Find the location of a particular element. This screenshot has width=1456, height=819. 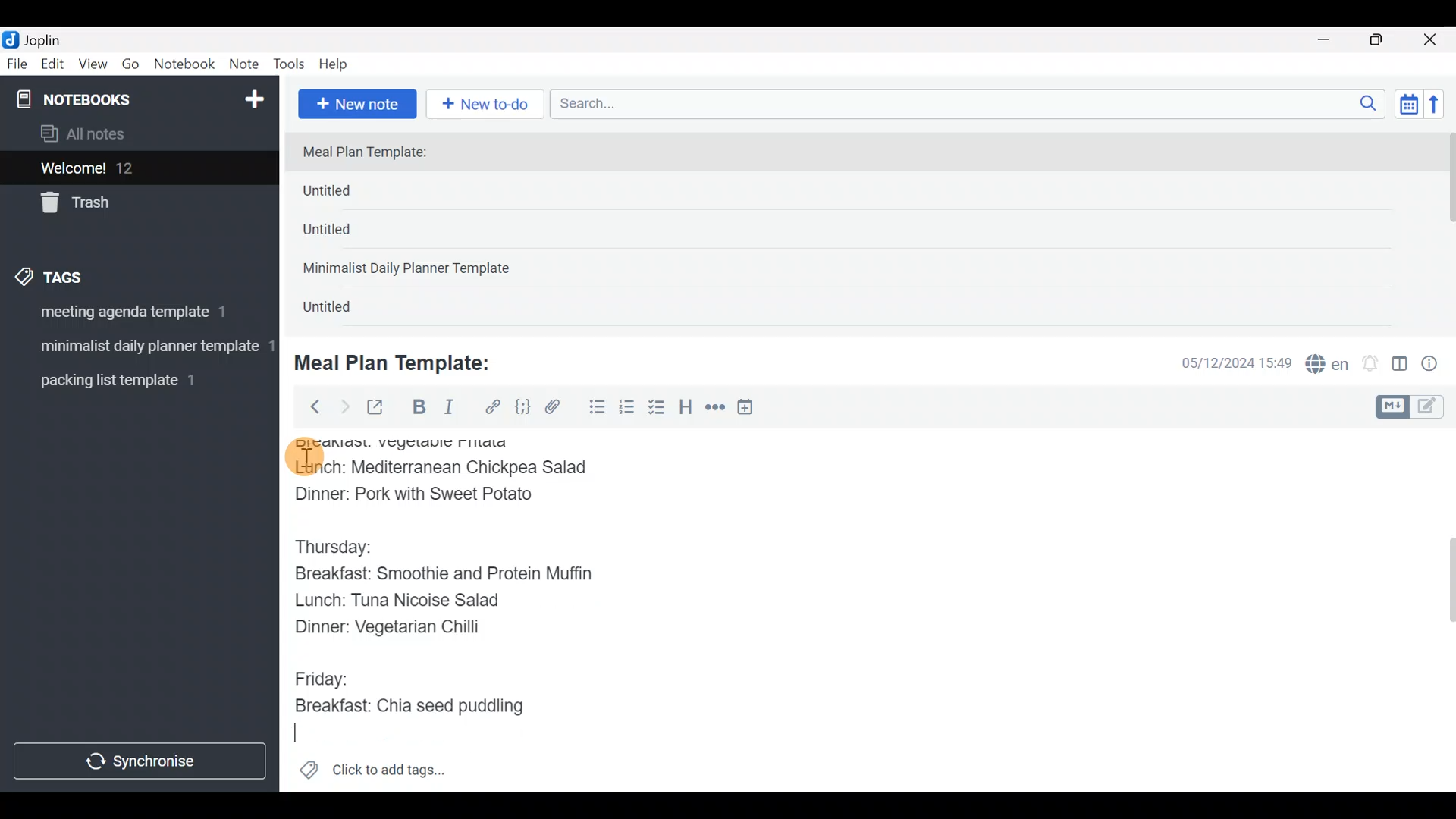

Spelling is located at coordinates (1328, 366).